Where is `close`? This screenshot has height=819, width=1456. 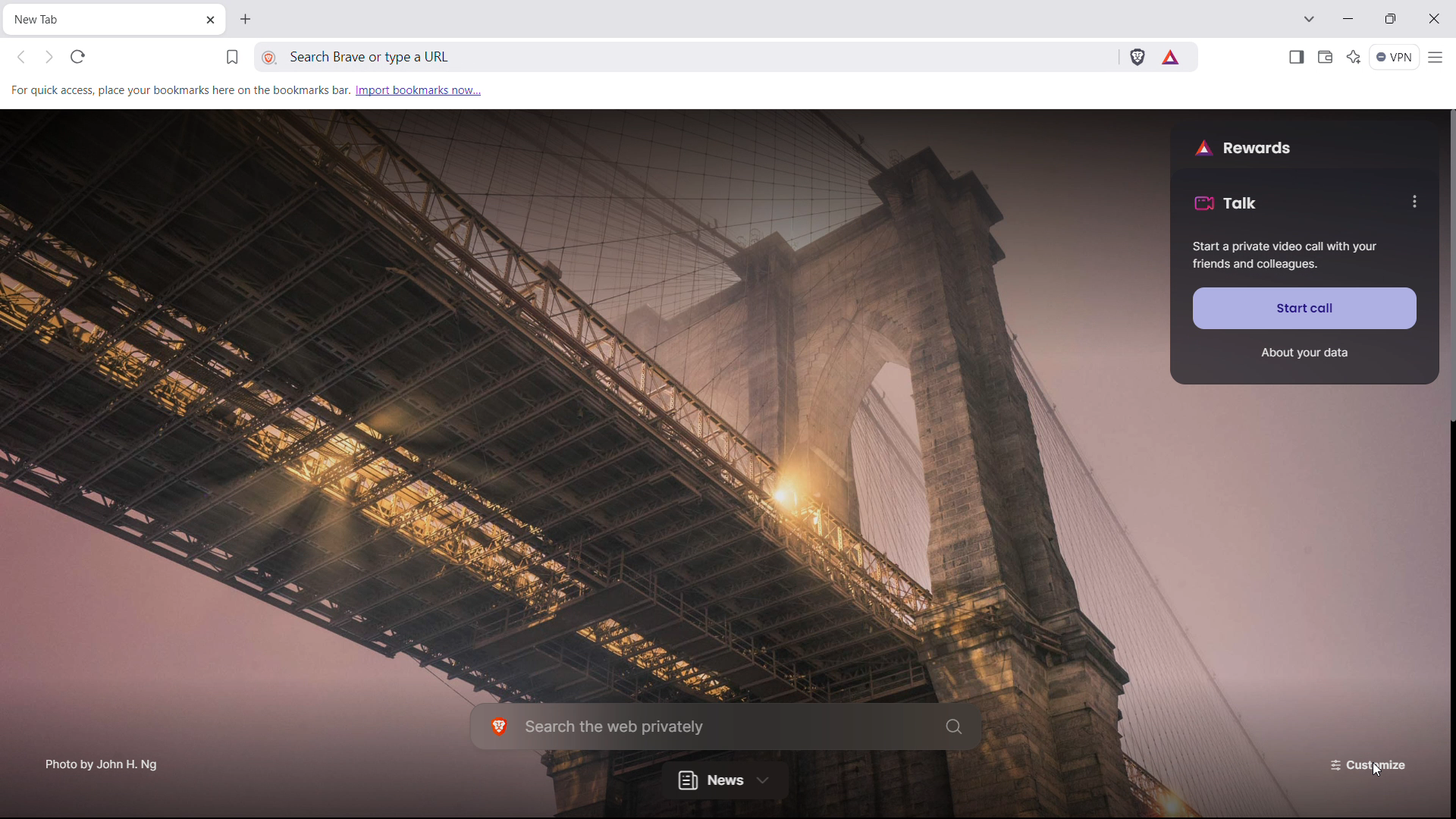 close is located at coordinates (1432, 19).